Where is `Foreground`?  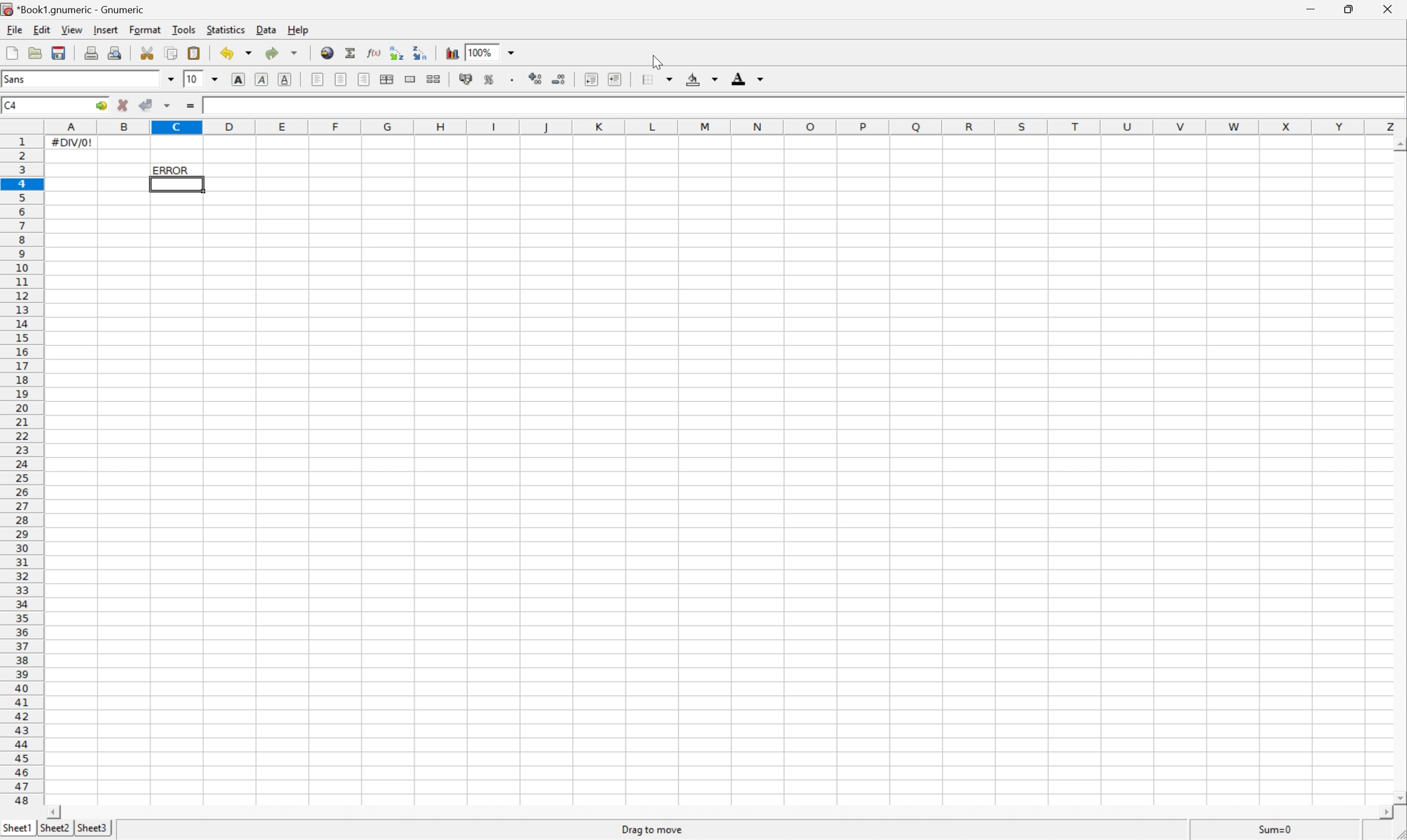
Foreground is located at coordinates (739, 79).